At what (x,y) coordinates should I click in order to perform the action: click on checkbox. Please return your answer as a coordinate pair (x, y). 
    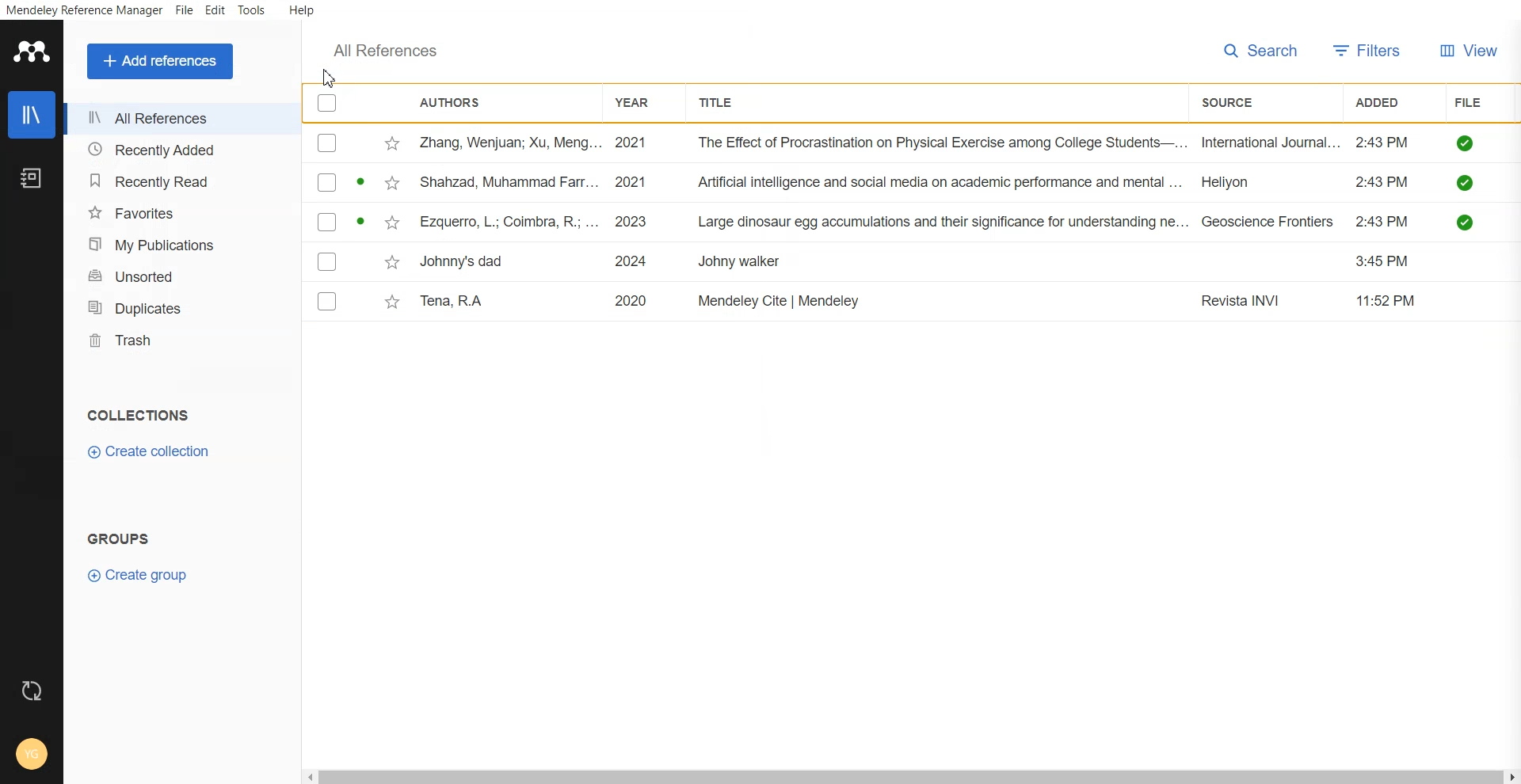
    Looking at the image, I should click on (326, 261).